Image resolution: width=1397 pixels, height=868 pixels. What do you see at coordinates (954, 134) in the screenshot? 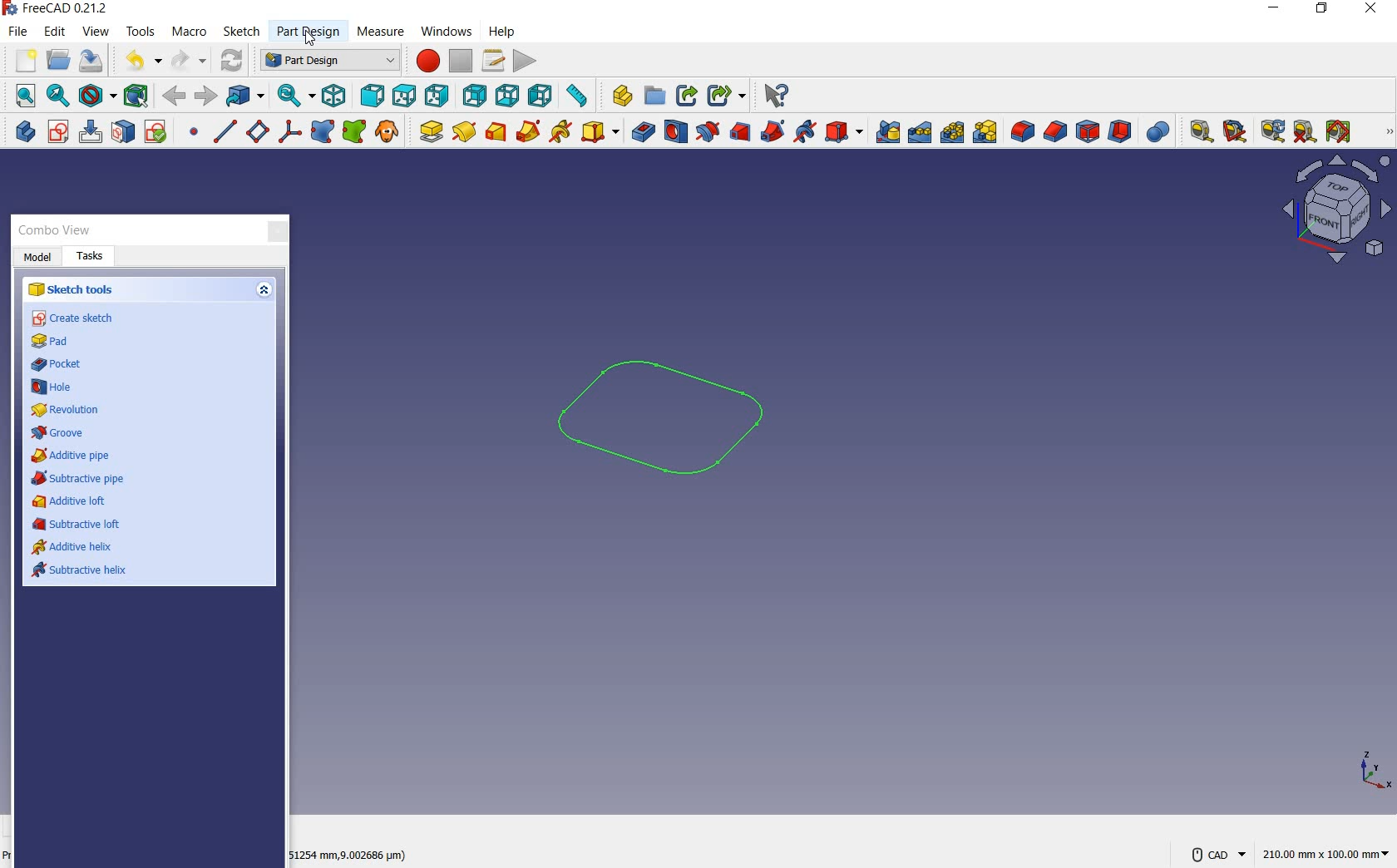
I see `polar pattern` at bounding box center [954, 134].